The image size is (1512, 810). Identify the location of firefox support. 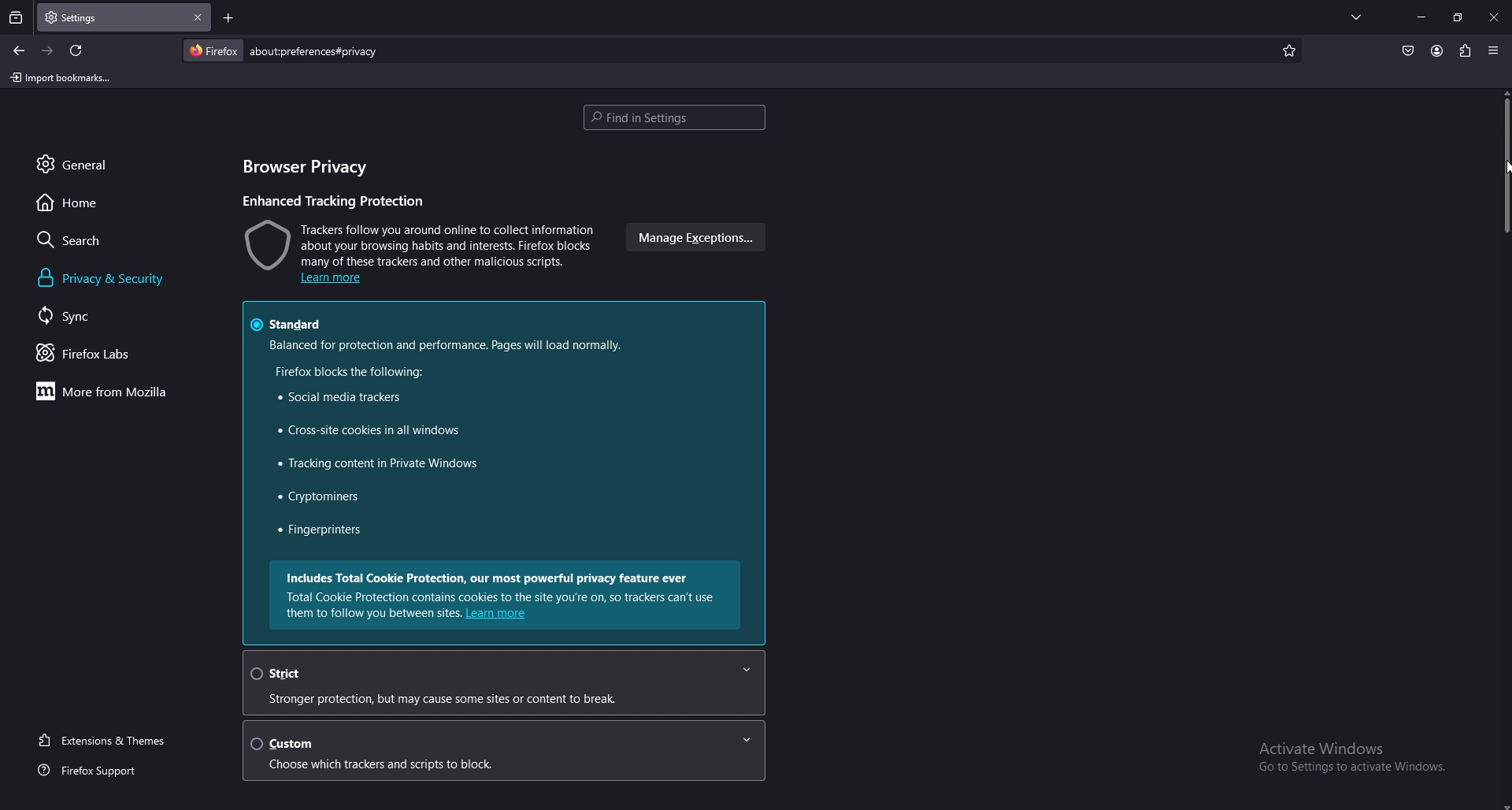
(93, 771).